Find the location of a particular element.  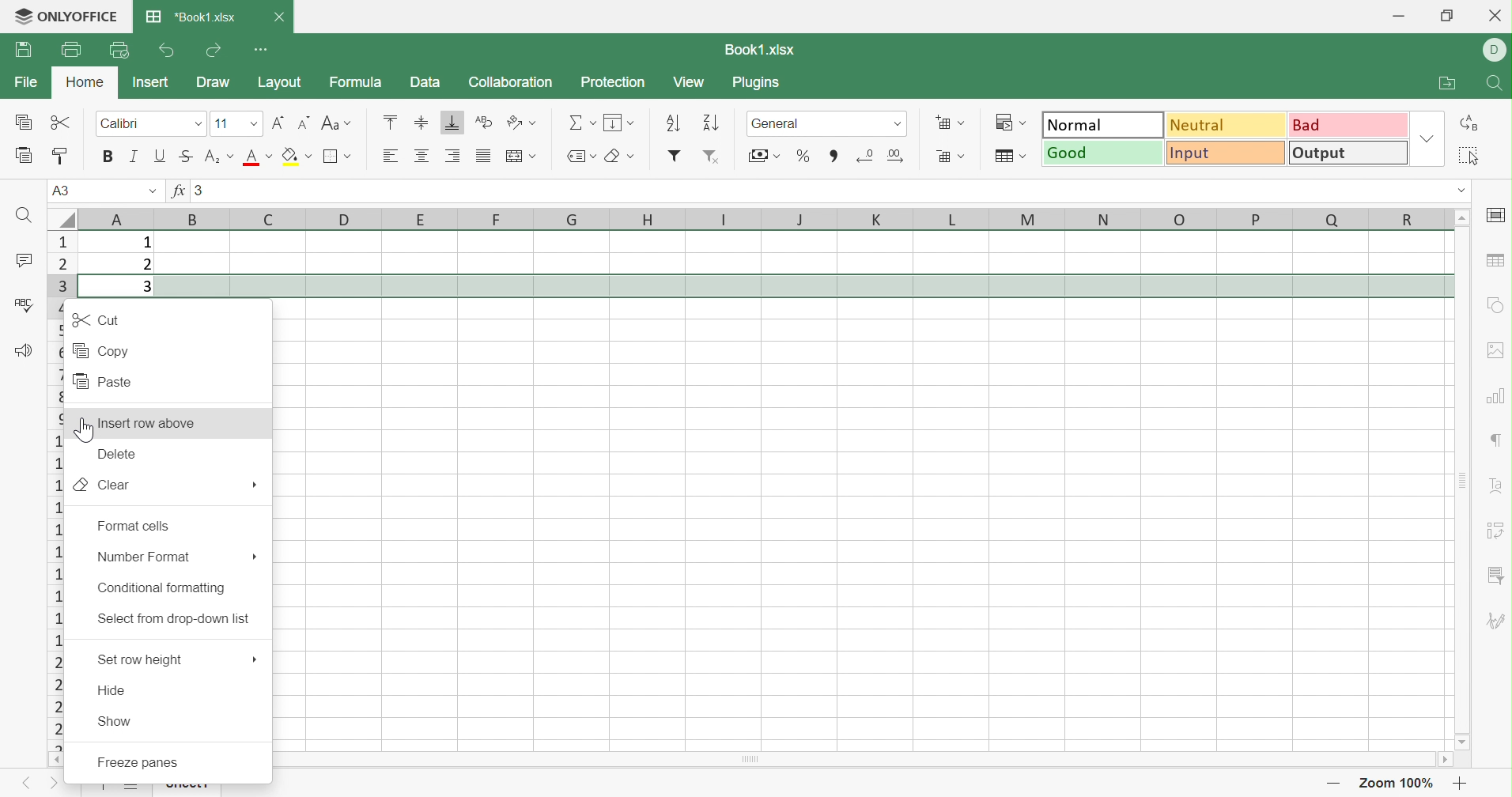

Drop Down is located at coordinates (899, 122).